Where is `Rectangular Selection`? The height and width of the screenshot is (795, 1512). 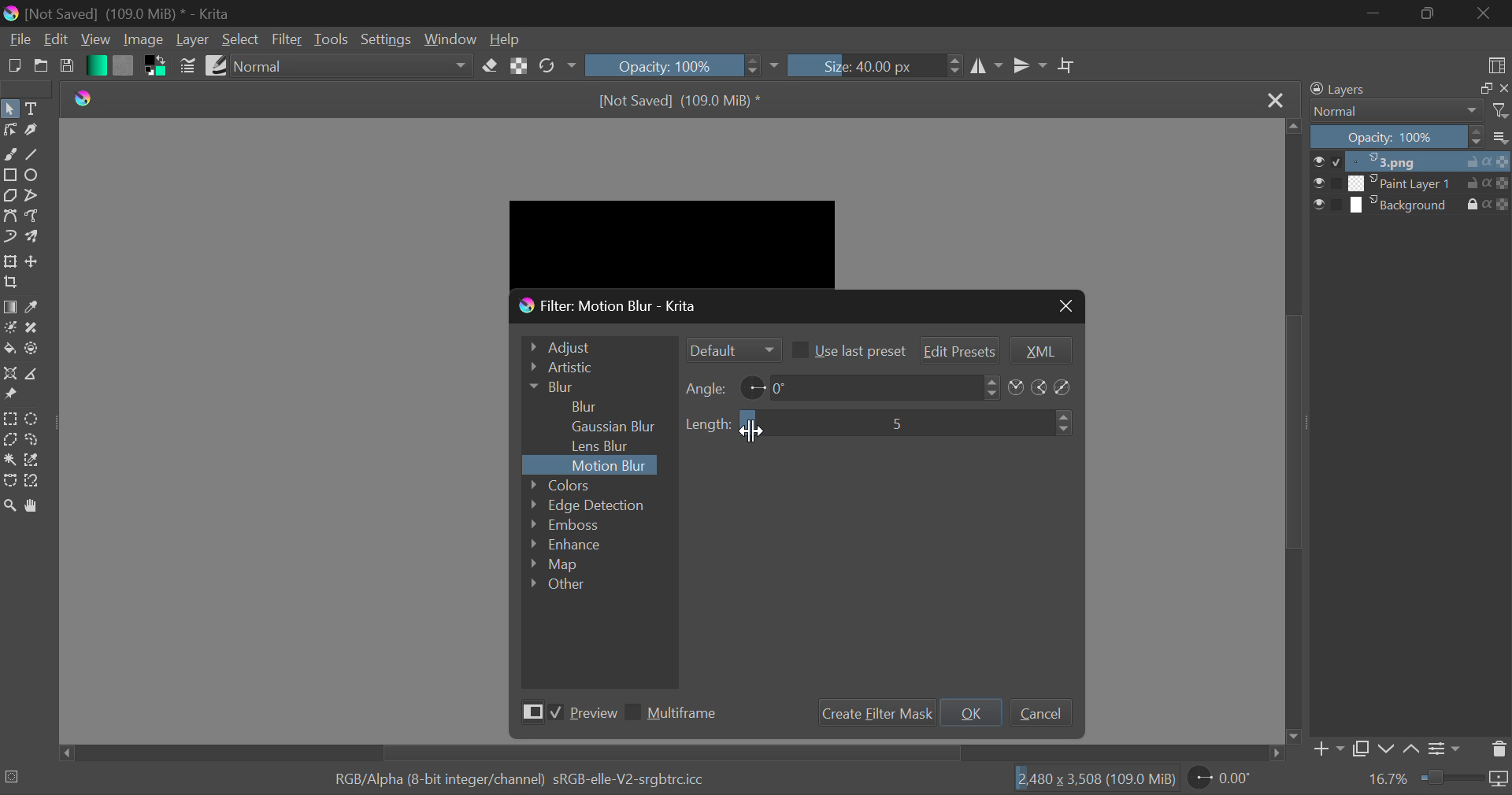 Rectangular Selection is located at coordinates (9, 419).